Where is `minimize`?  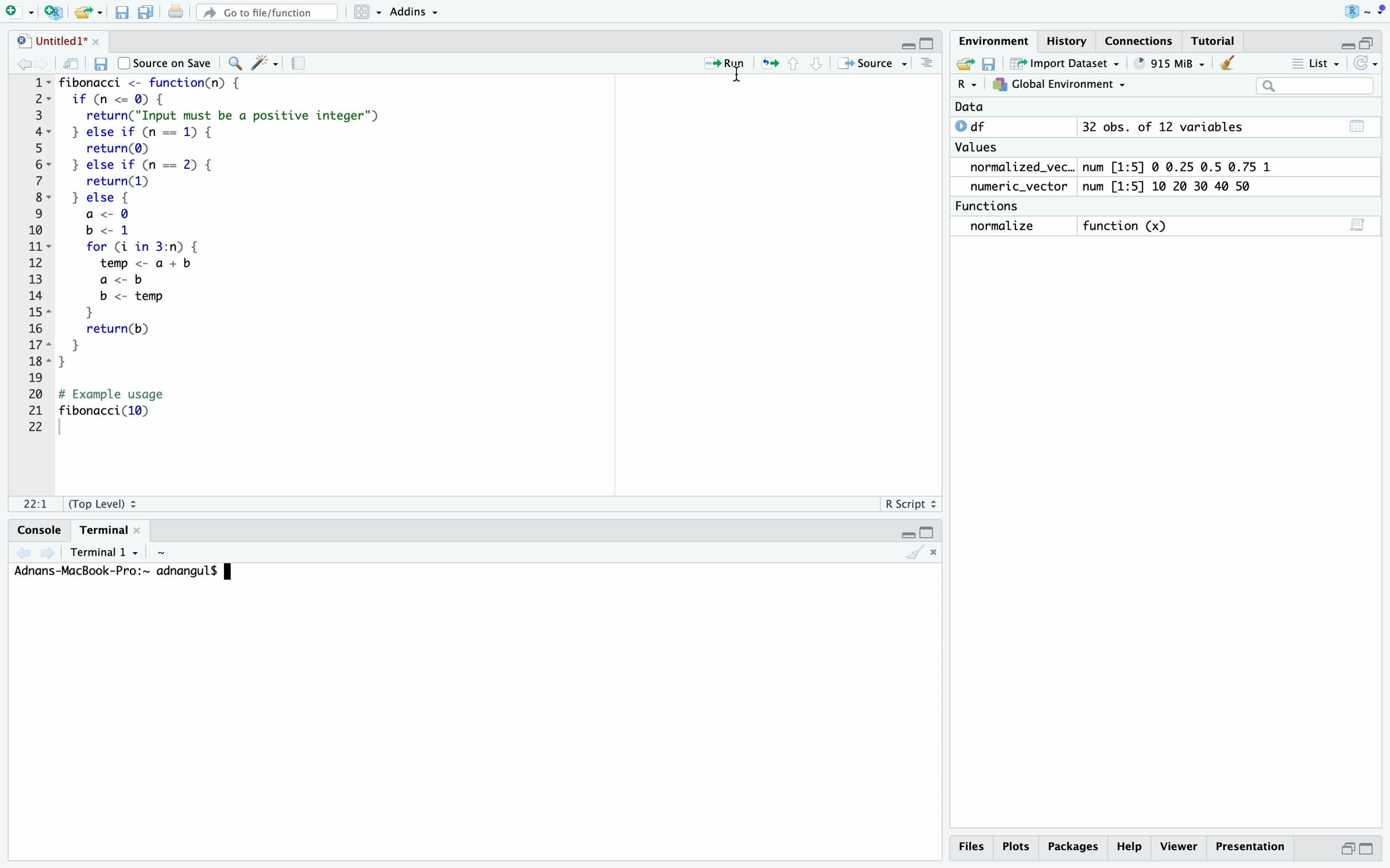
minimize is located at coordinates (1347, 849).